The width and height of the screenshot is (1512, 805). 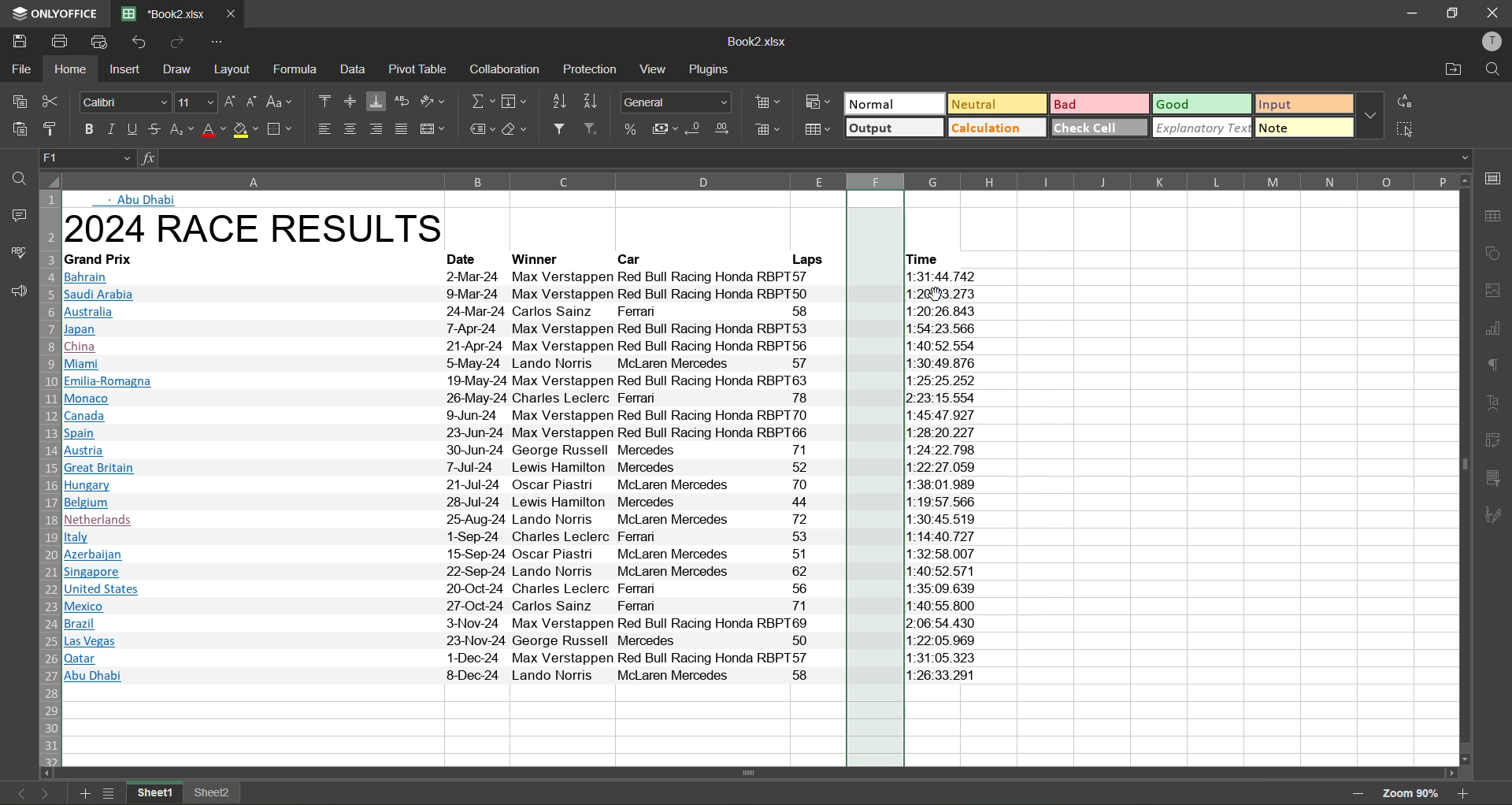 I want to click on Mexico 27-Oct-24 Carlos Sainz Ferman 71 1:40:55.800, so click(x=444, y=605).